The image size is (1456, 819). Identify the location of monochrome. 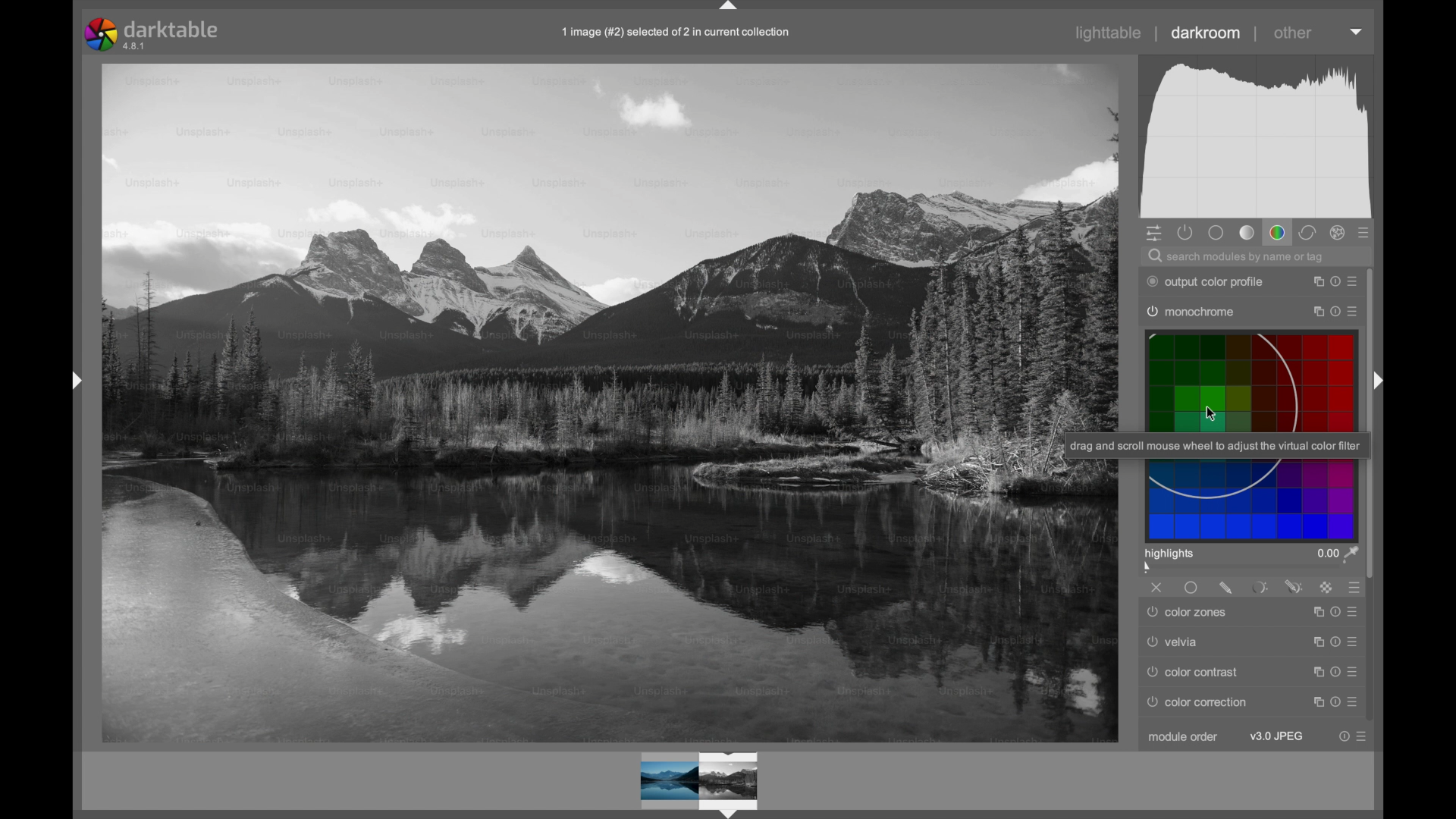
(1191, 312).